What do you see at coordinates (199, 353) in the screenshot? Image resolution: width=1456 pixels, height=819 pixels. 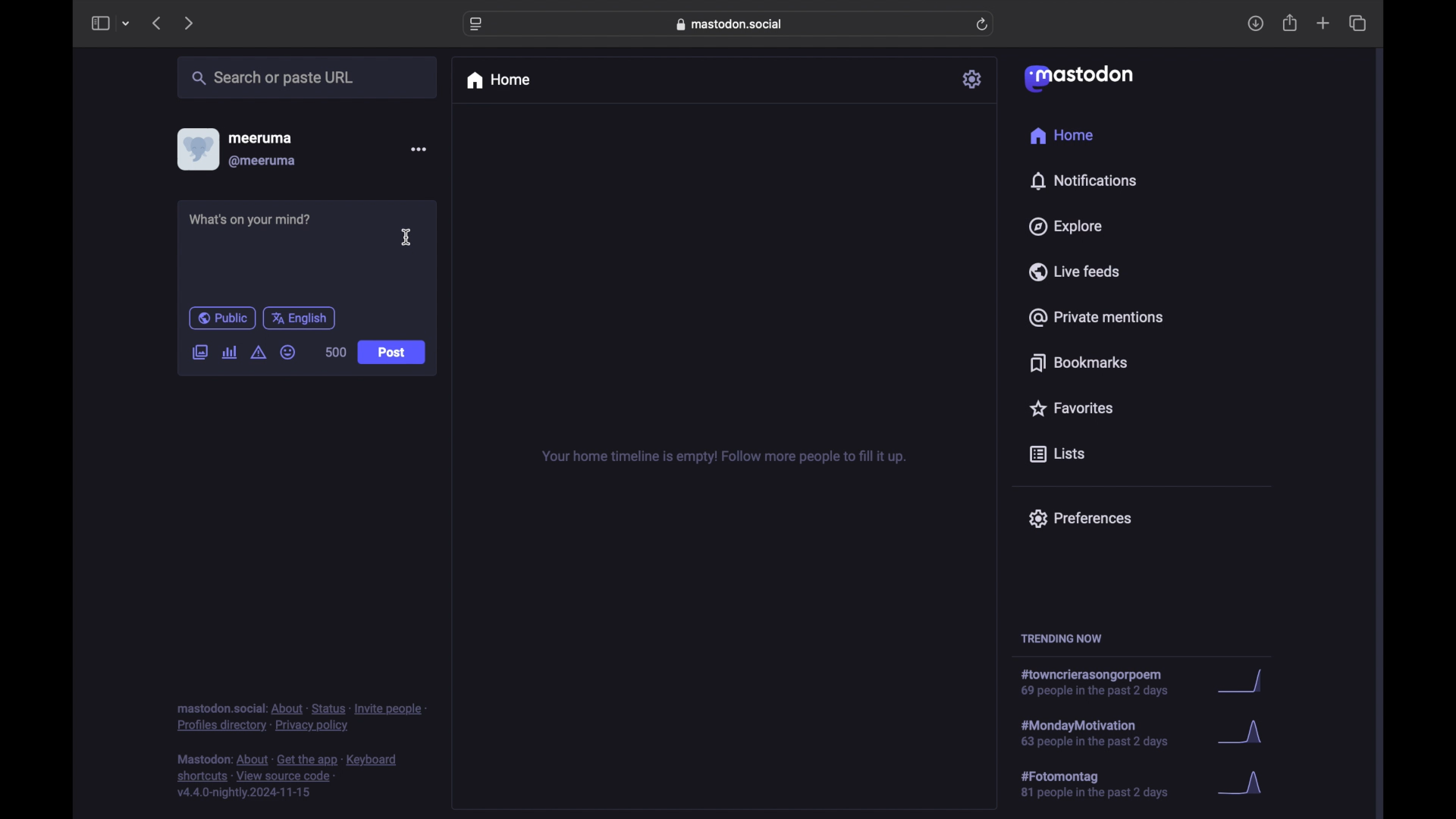 I see `add image` at bounding box center [199, 353].